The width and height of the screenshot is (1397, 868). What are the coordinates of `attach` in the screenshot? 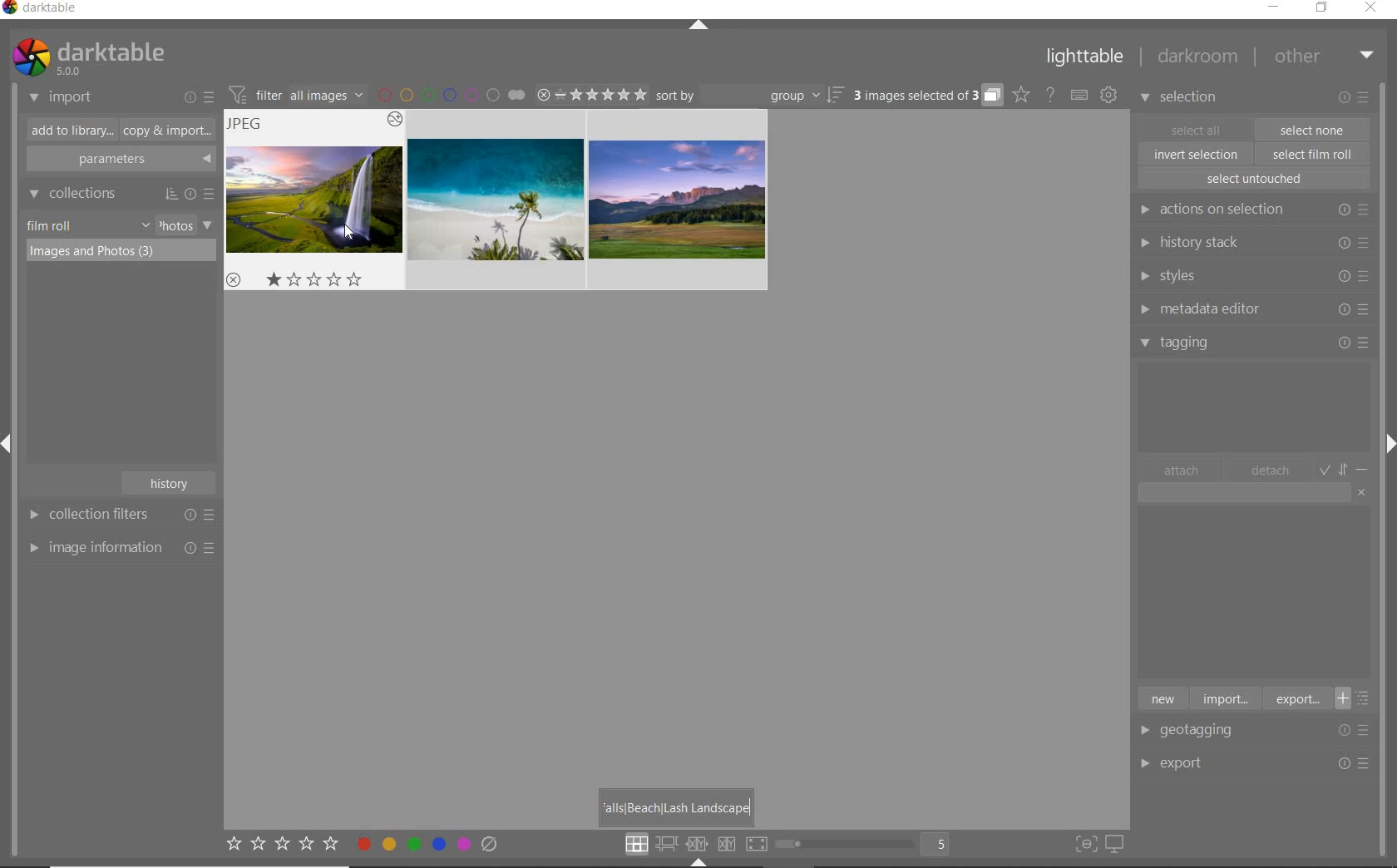 It's located at (1182, 470).